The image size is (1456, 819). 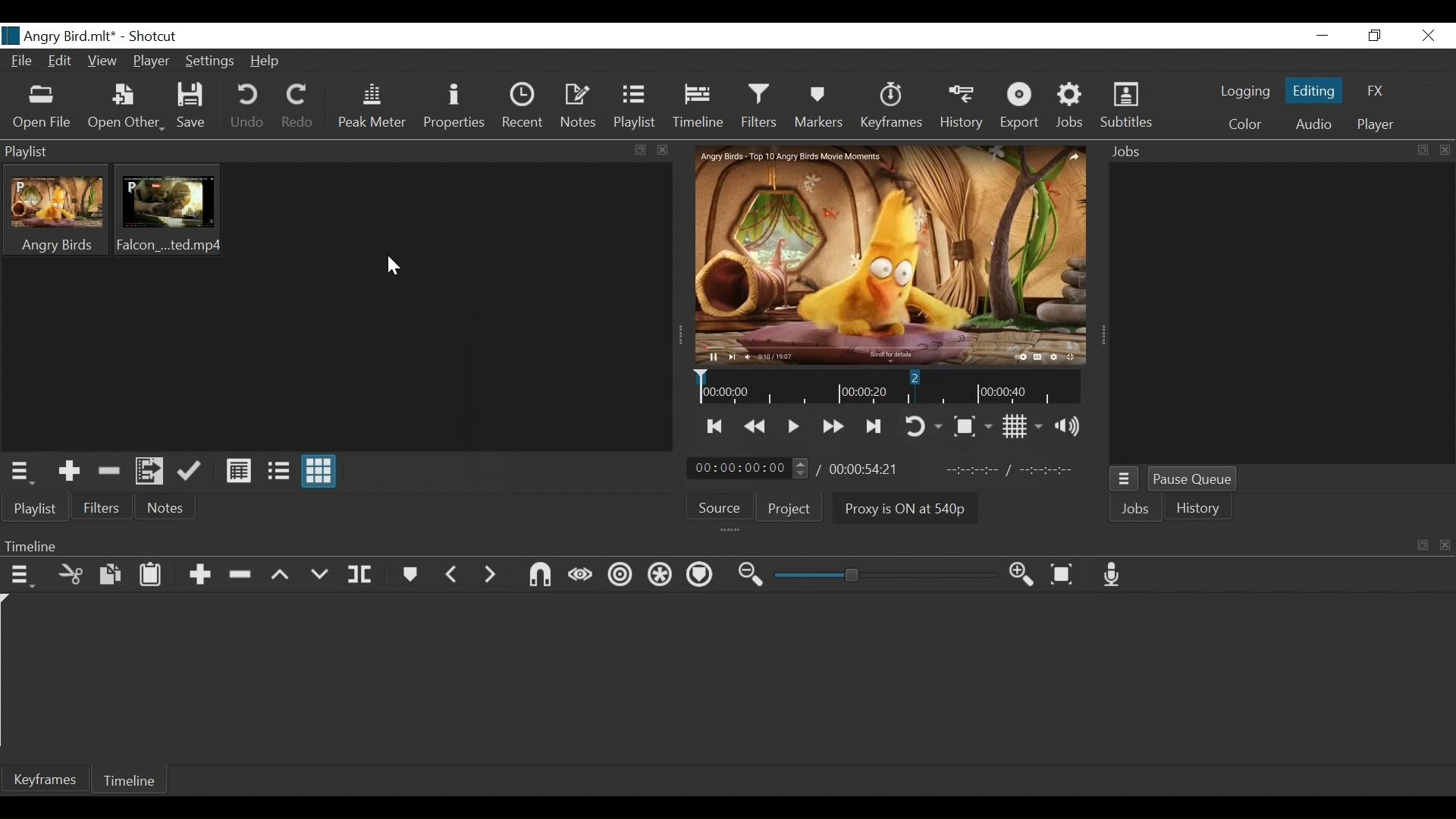 I want to click on View as Files, so click(x=277, y=469).